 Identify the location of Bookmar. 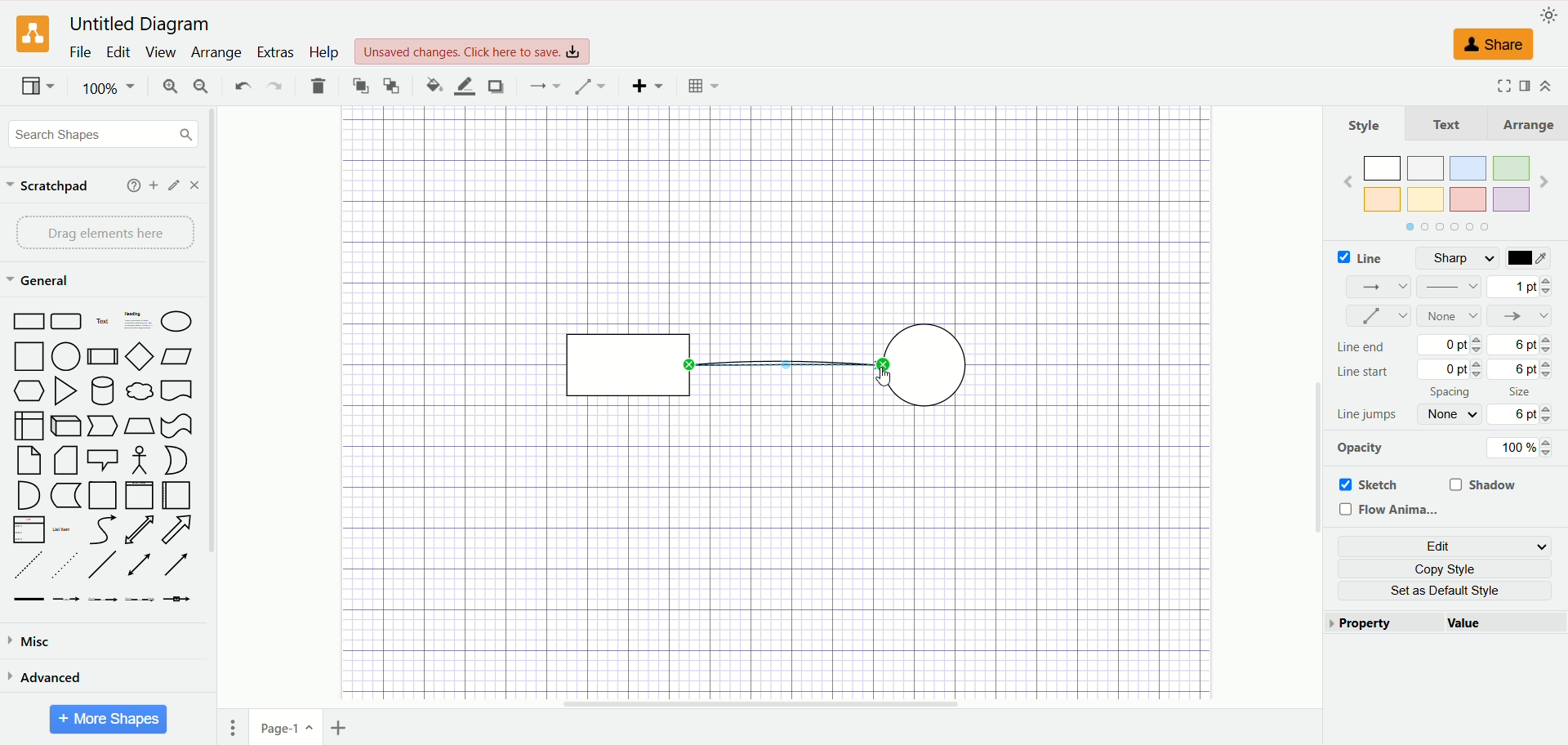
(180, 393).